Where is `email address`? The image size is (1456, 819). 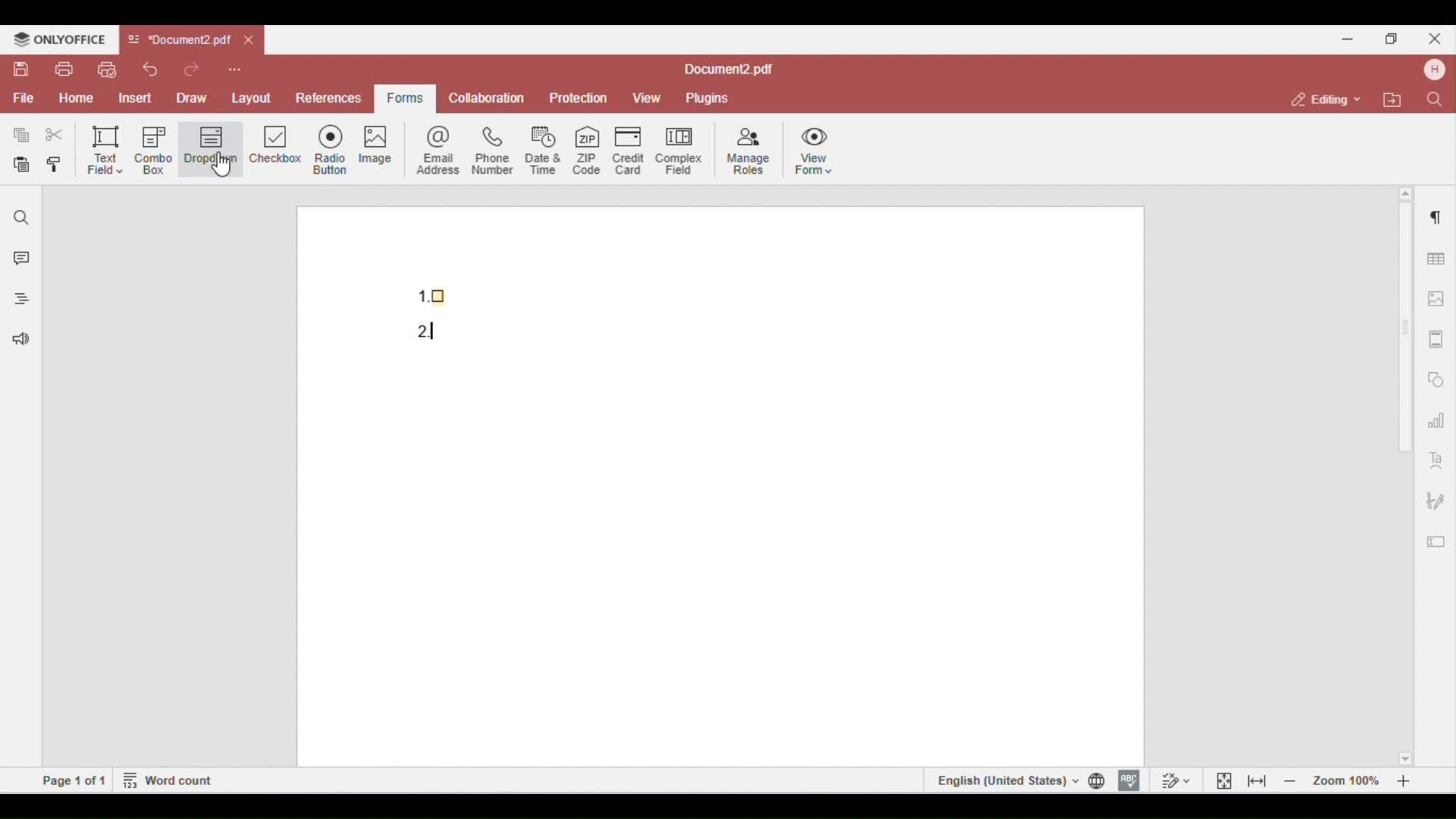 email address is located at coordinates (441, 149).